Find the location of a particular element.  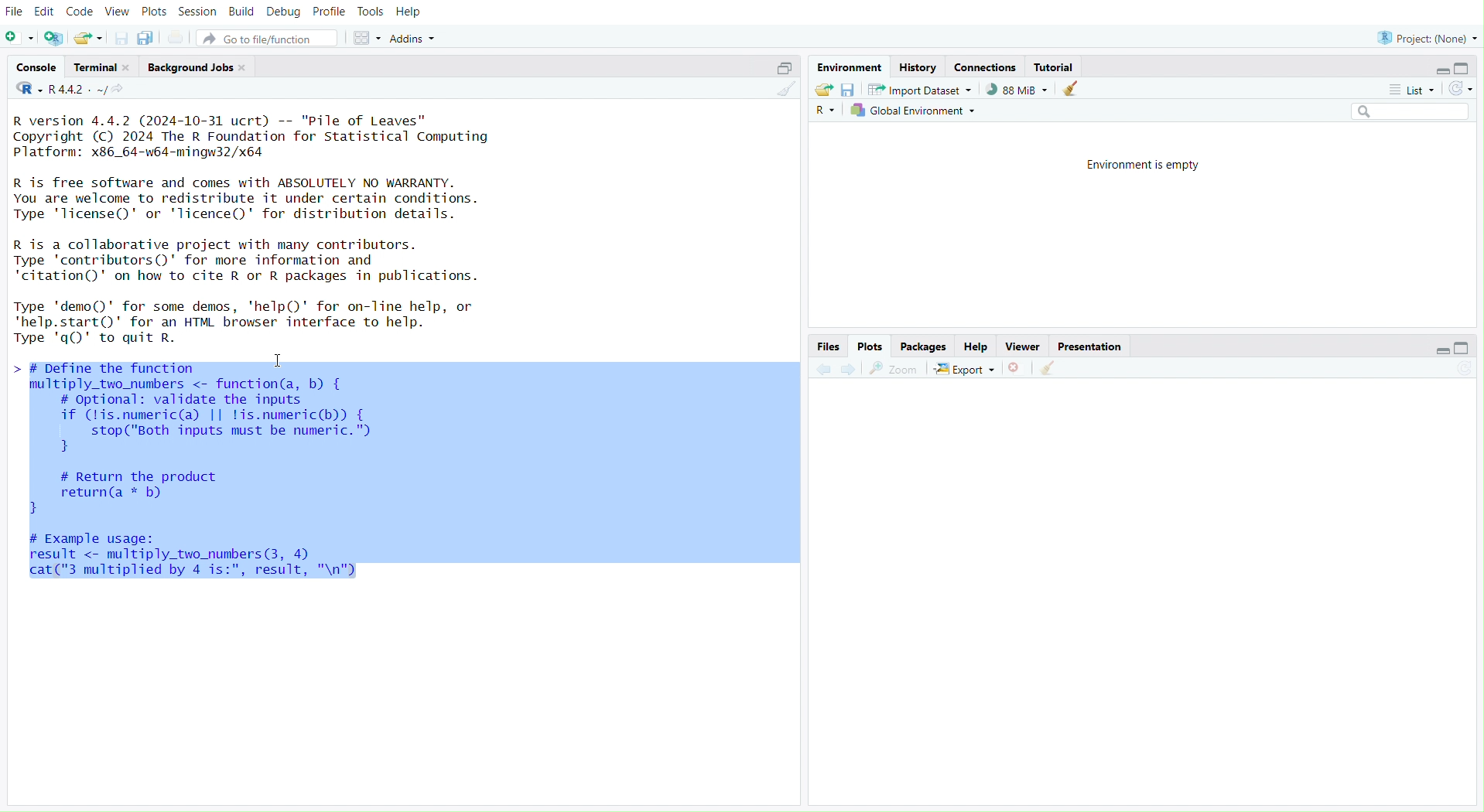

Minimize is located at coordinates (1442, 70).